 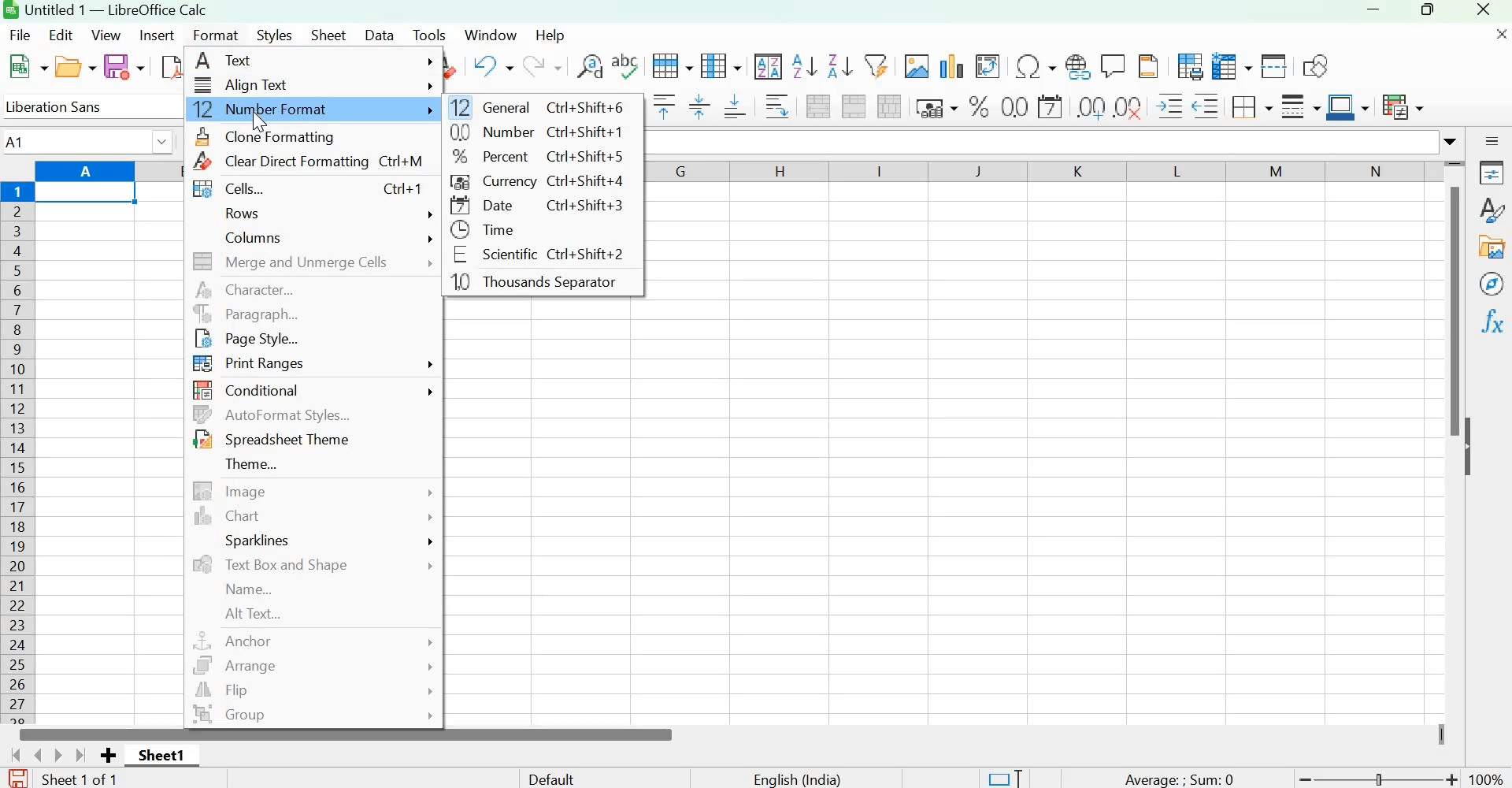 What do you see at coordinates (839, 66) in the screenshot?
I see `Sort descending` at bounding box center [839, 66].